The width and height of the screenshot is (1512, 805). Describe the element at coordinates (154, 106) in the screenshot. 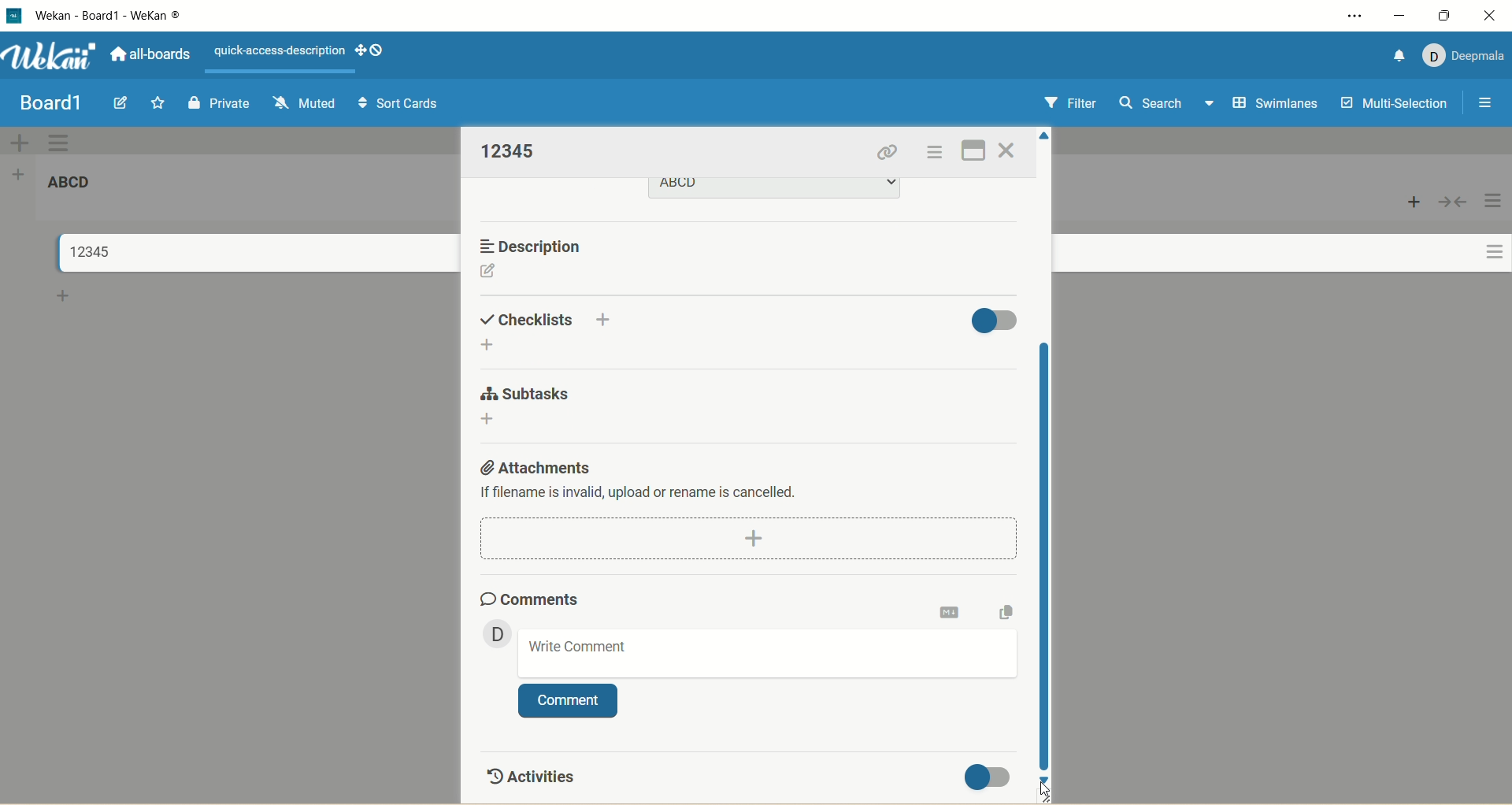

I see `favorite` at that location.